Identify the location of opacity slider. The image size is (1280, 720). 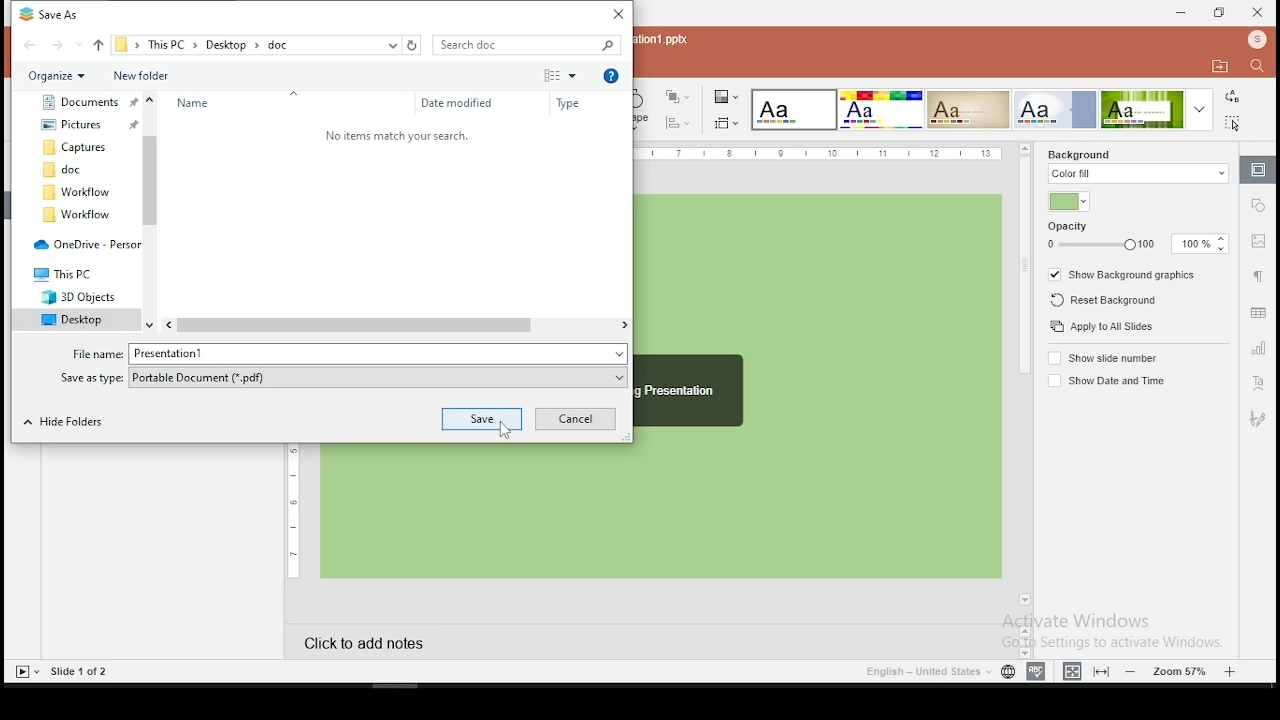
(1099, 245).